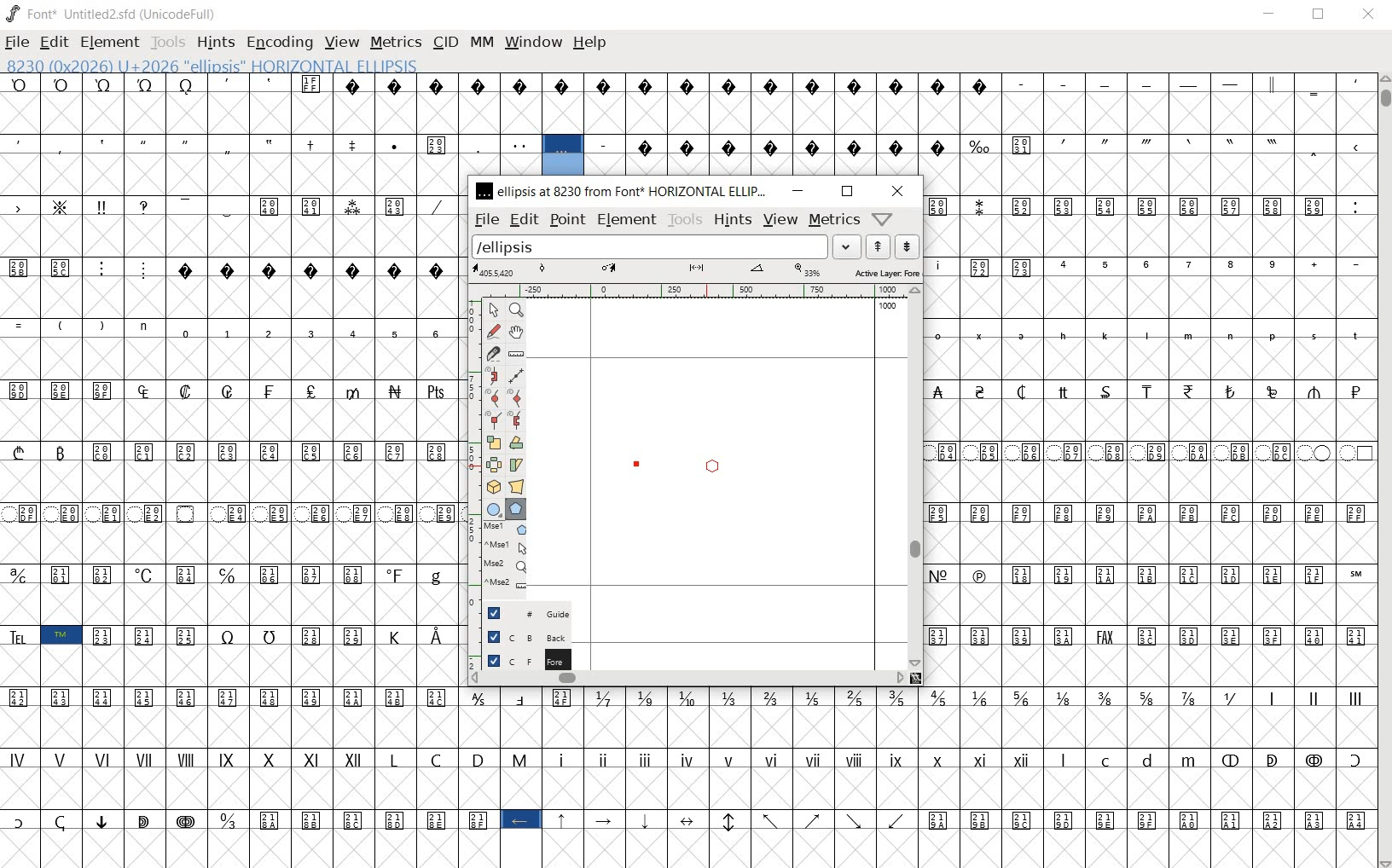 Image resolution: width=1392 pixels, height=868 pixels. I want to click on measure a distance, angle between points, so click(516, 352).